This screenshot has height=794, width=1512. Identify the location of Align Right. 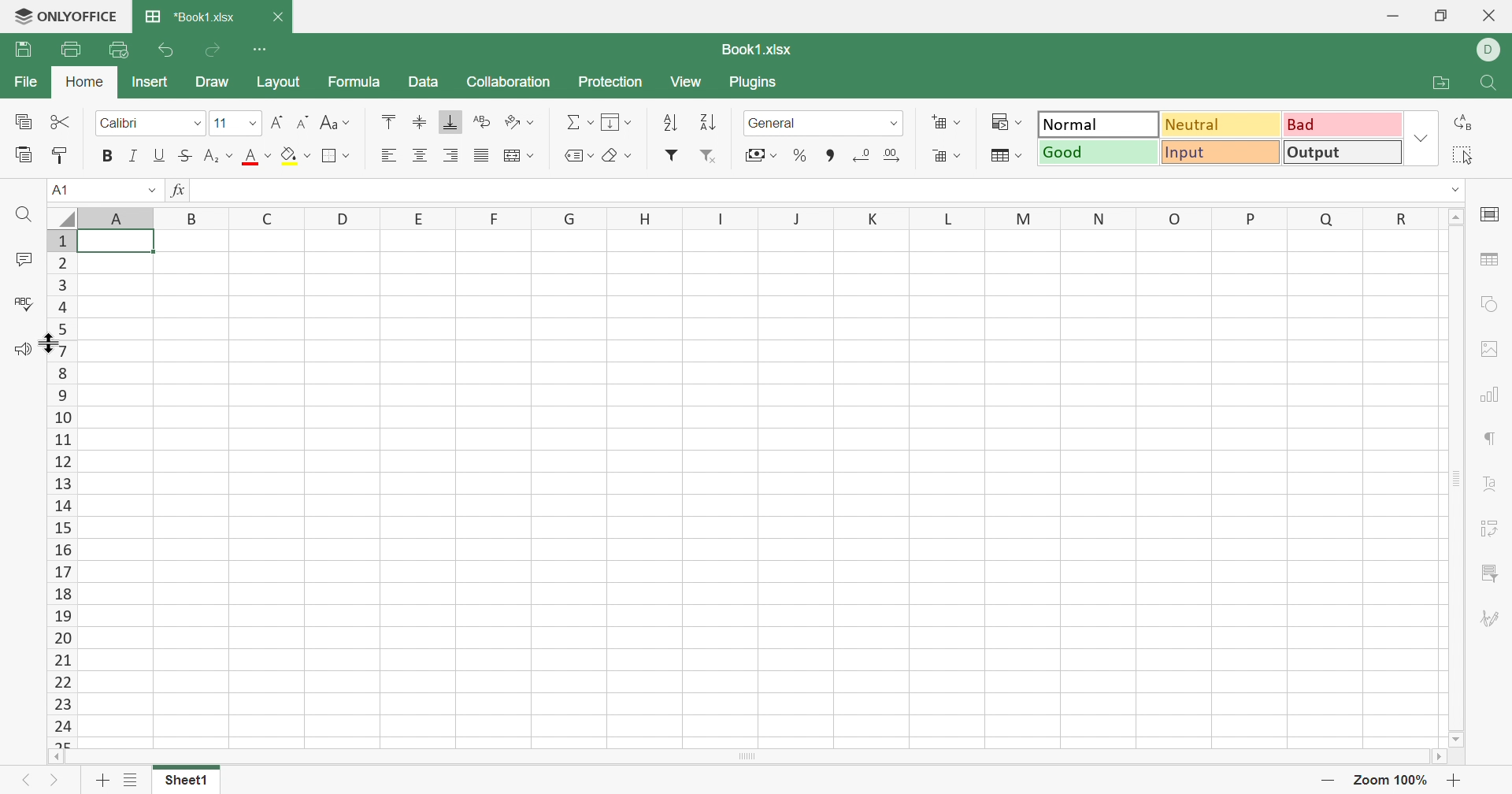
(451, 157).